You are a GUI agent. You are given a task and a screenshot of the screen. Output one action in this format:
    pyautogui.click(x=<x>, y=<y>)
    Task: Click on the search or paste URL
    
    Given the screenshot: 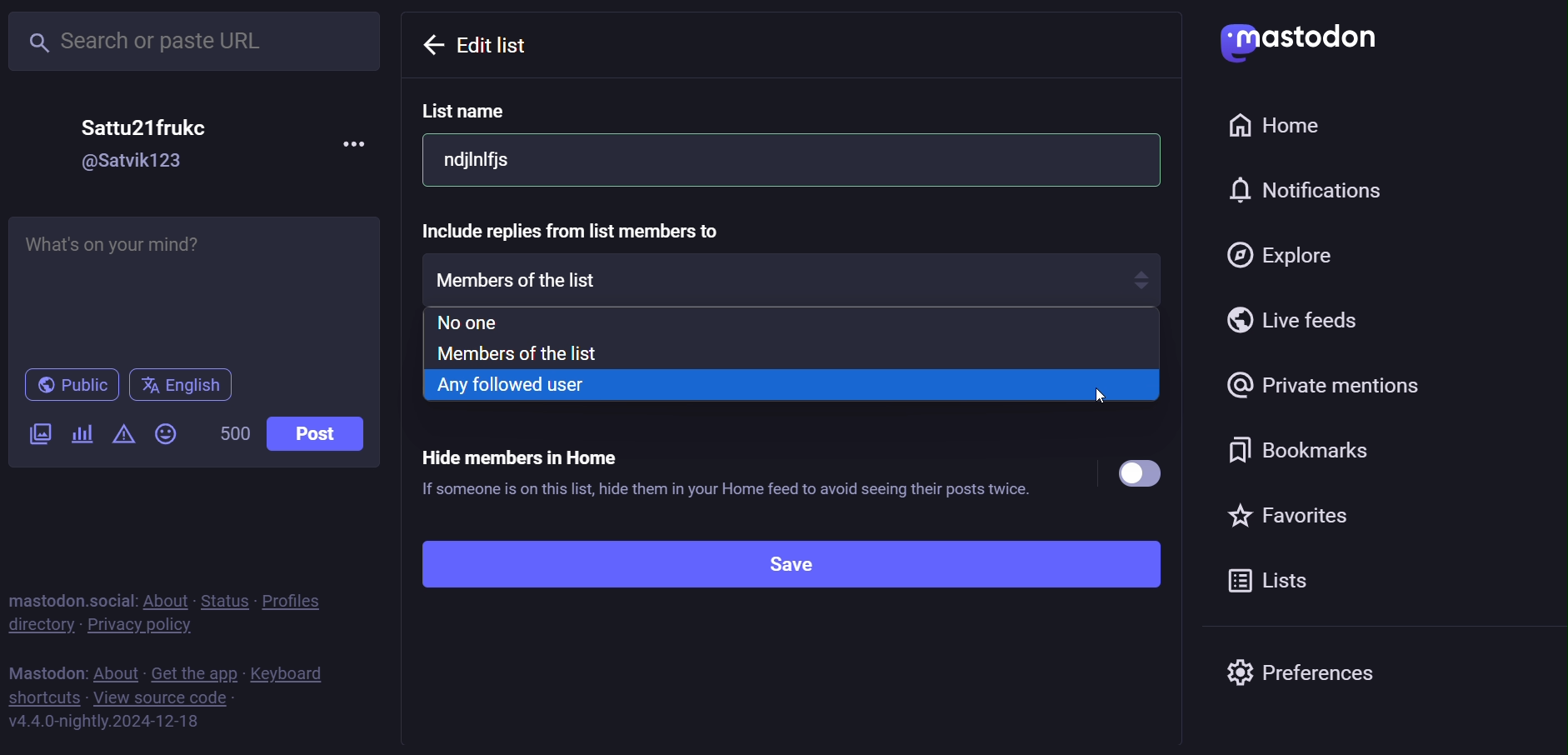 What is the action you would take?
    pyautogui.click(x=200, y=37)
    